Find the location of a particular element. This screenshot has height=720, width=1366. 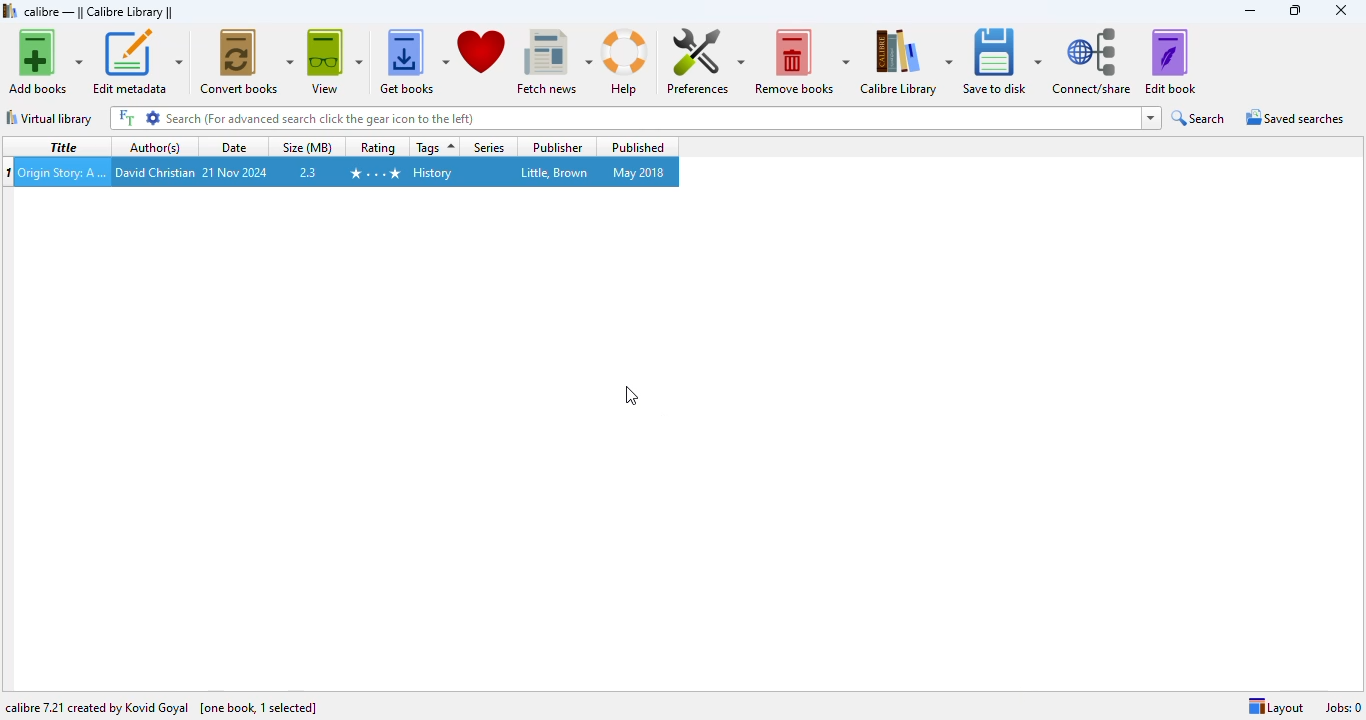

publisher is located at coordinates (556, 146).